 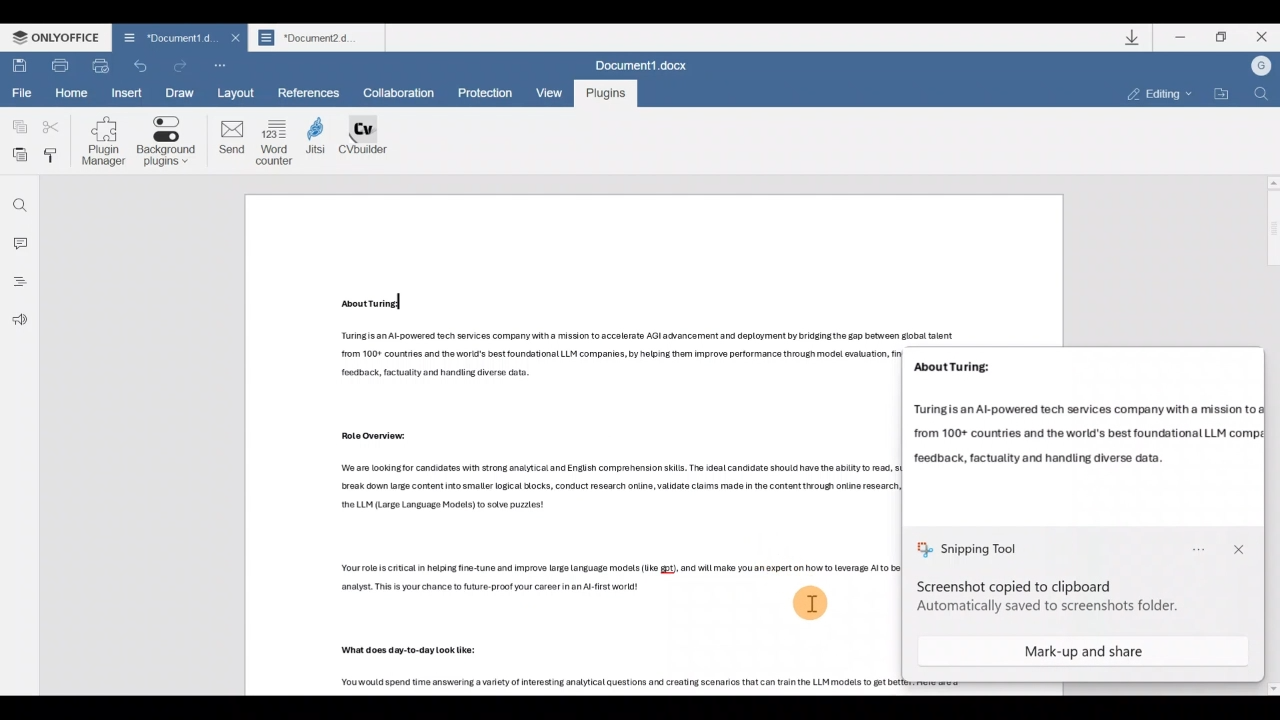 What do you see at coordinates (1085, 516) in the screenshot?
I see `Snapshotted section` at bounding box center [1085, 516].